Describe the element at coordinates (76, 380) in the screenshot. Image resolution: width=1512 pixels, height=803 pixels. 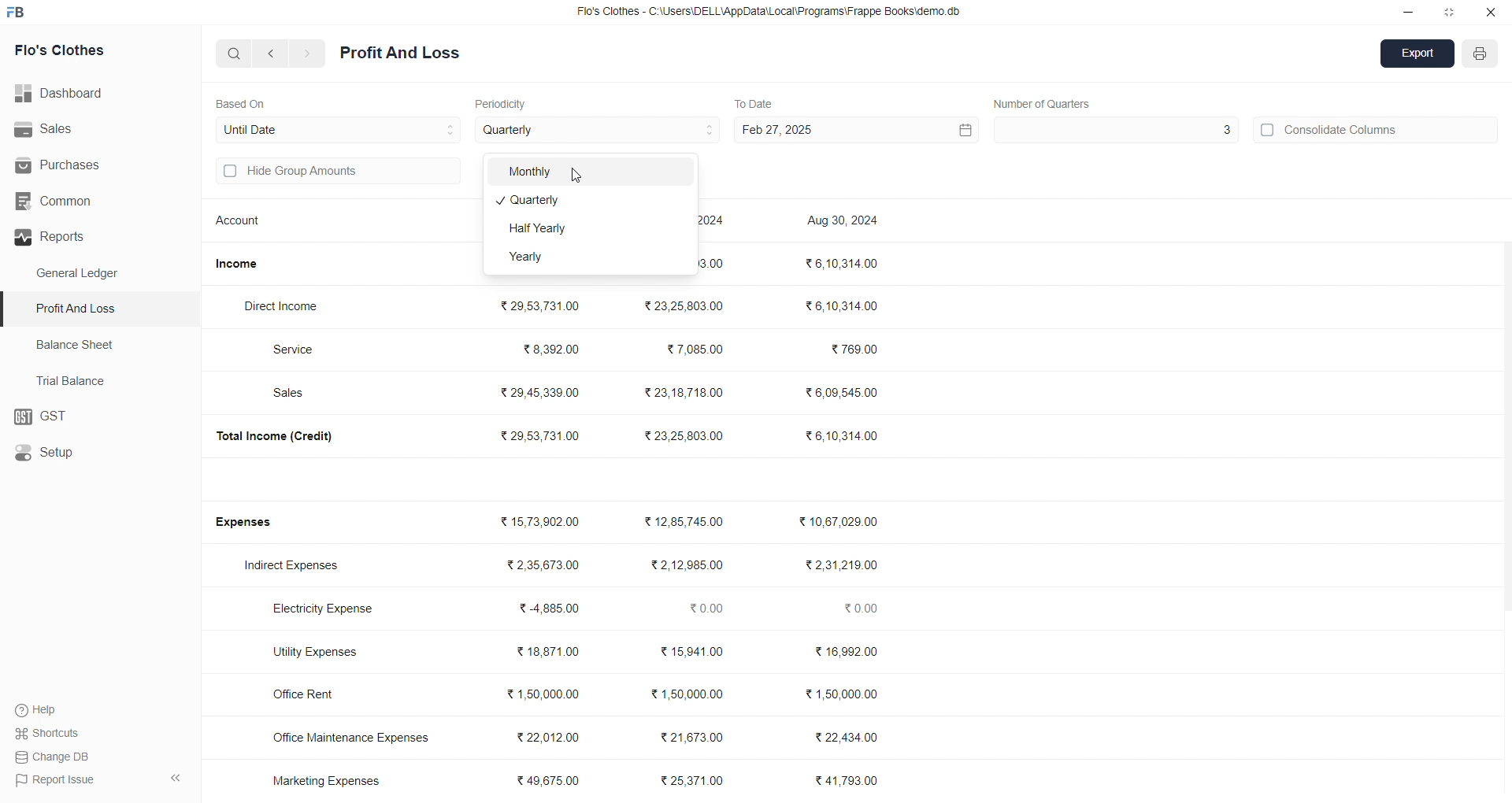
I see `Trial Balance` at that location.